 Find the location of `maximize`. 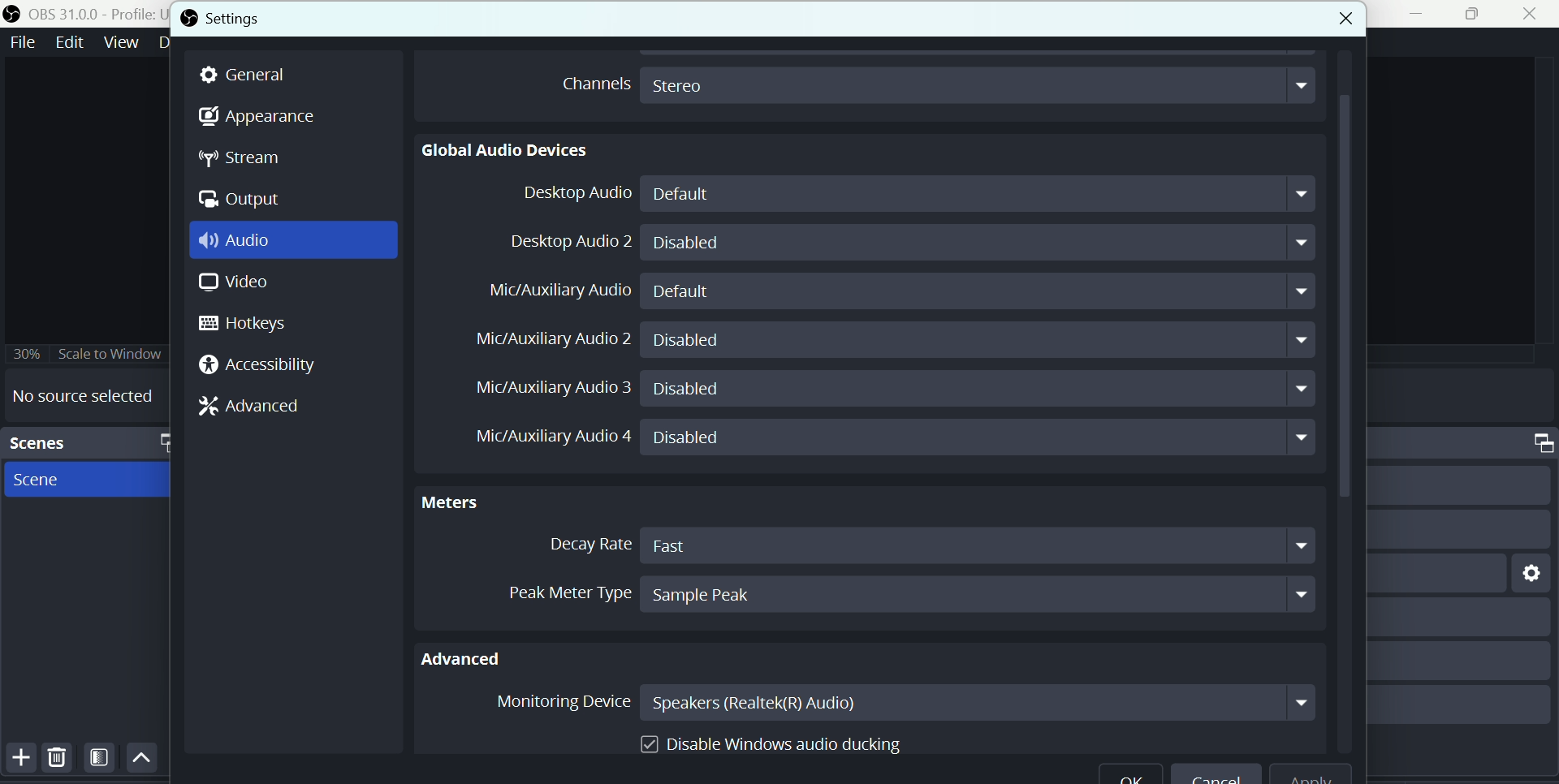

maximize is located at coordinates (162, 442).